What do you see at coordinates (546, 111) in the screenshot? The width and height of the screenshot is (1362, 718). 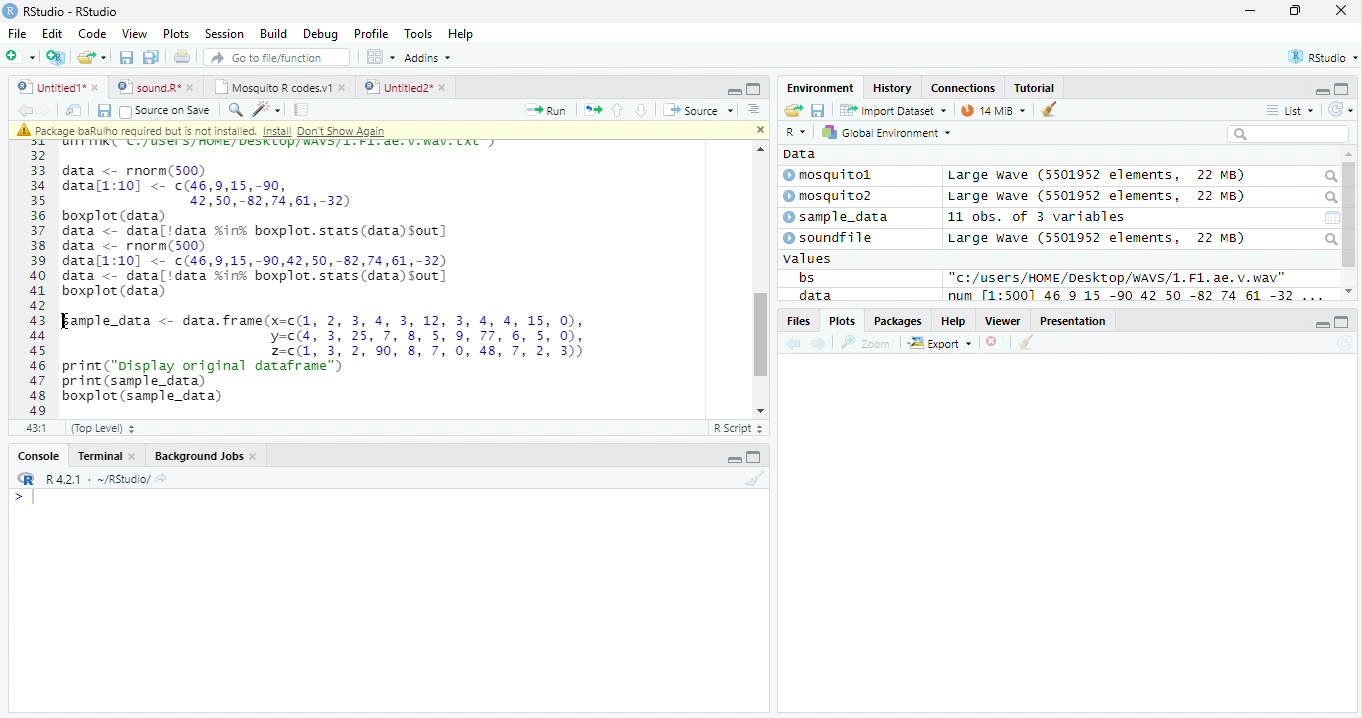 I see `Run the current line or selection` at bounding box center [546, 111].